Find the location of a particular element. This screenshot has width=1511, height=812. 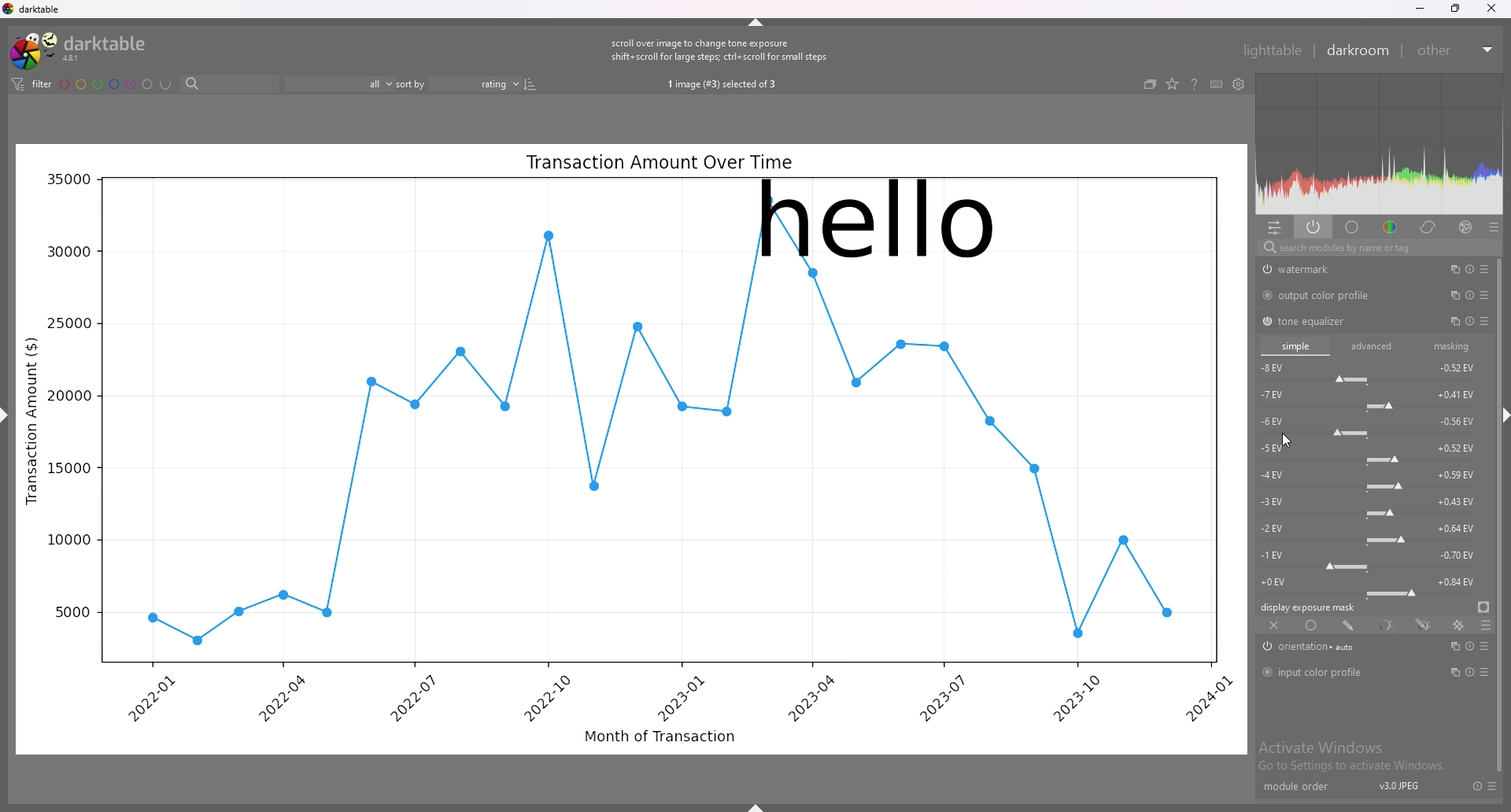

simple is located at coordinates (1295, 345).